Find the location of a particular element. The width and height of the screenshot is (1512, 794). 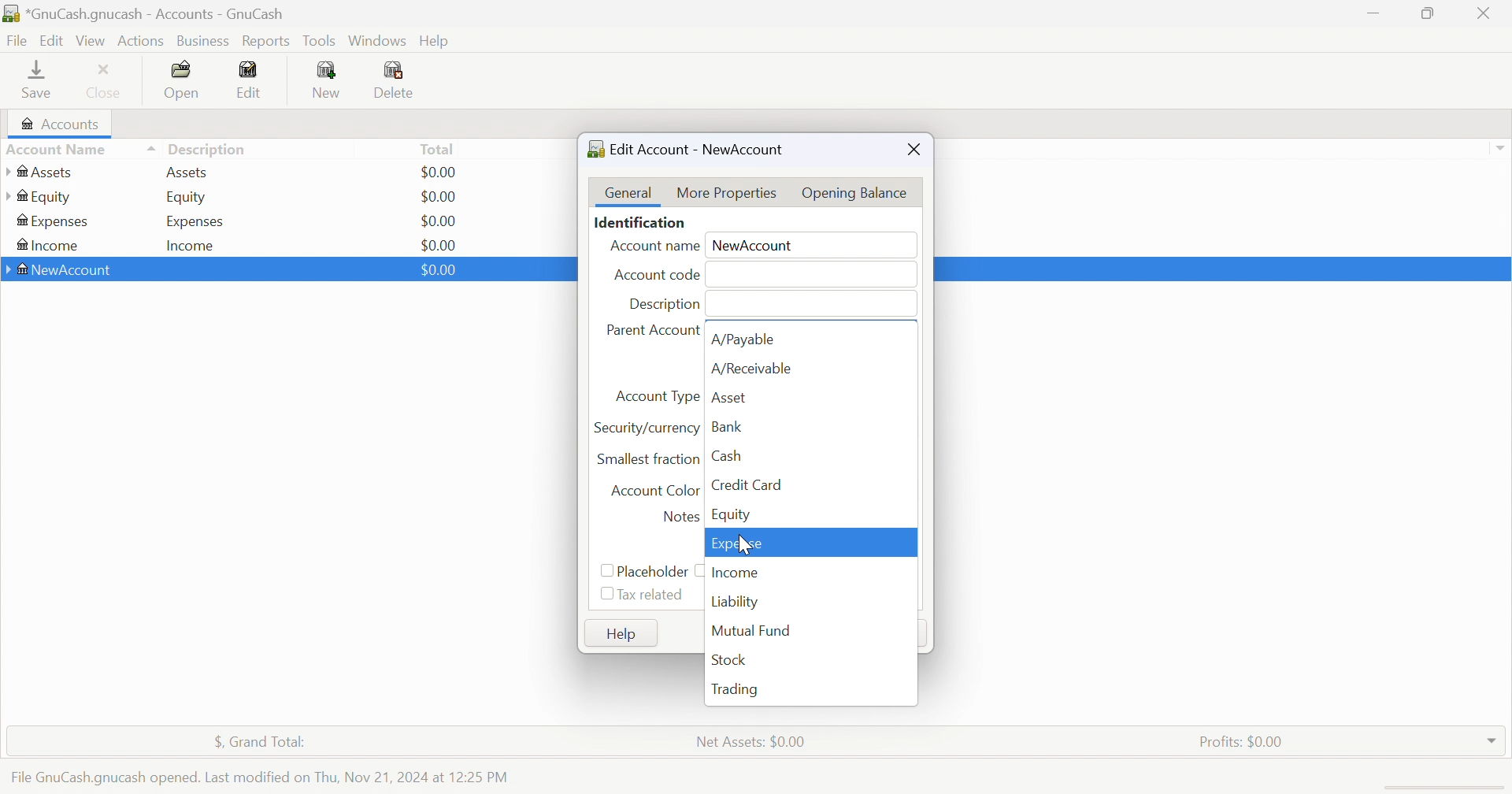

Assets is located at coordinates (187, 172).